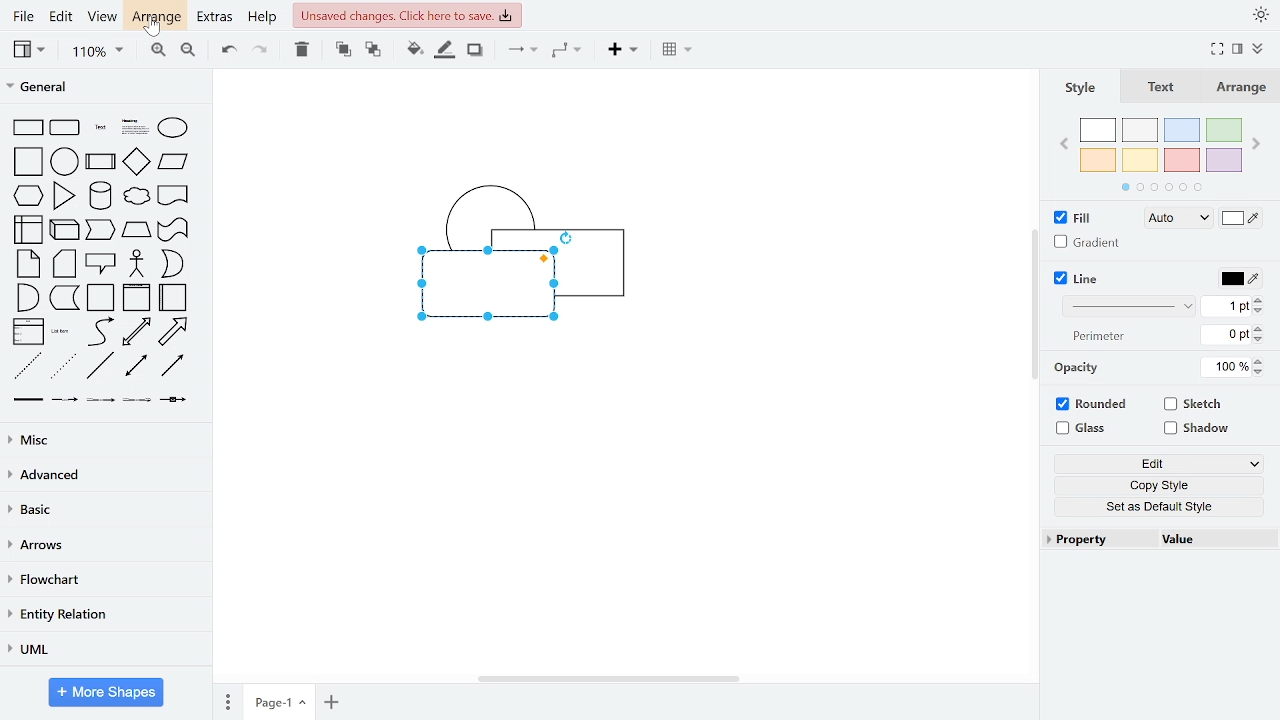  I want to click on parallelogram, so click(173, 163).